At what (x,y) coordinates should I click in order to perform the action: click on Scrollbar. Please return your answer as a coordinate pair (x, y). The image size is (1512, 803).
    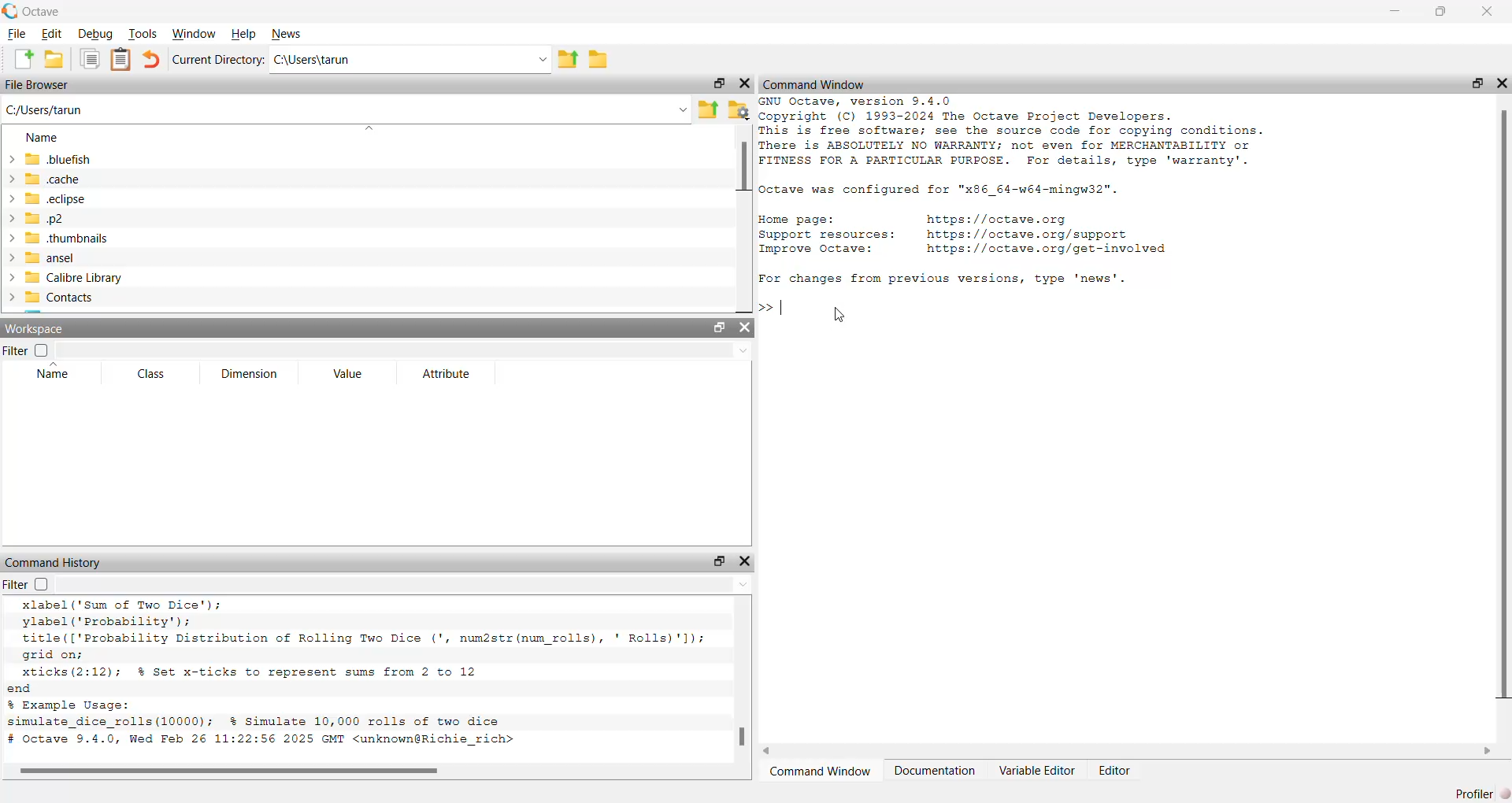
    Looking at the image, I should click on (228, 772).